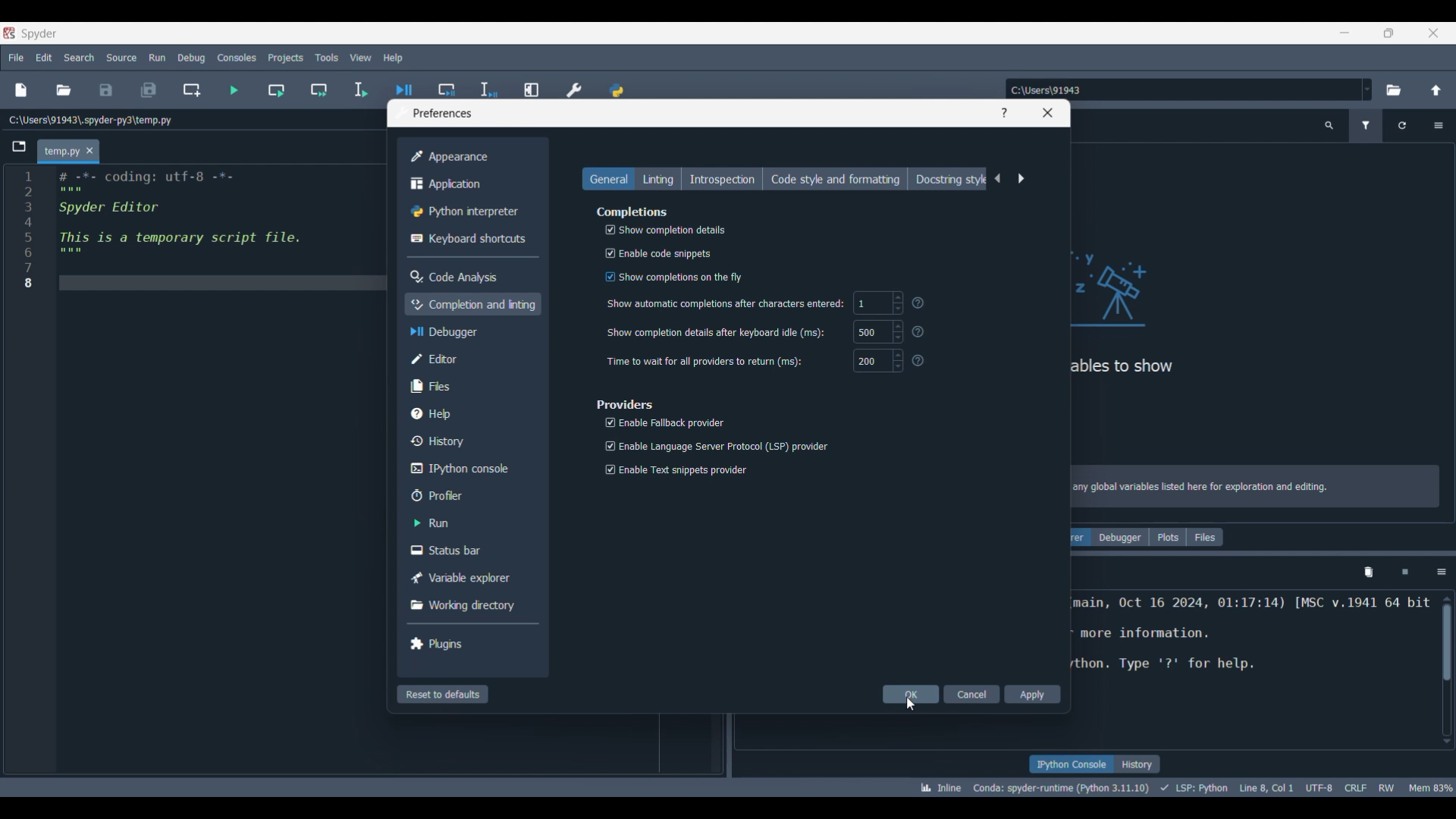  I want to click on , so click(922, 304).